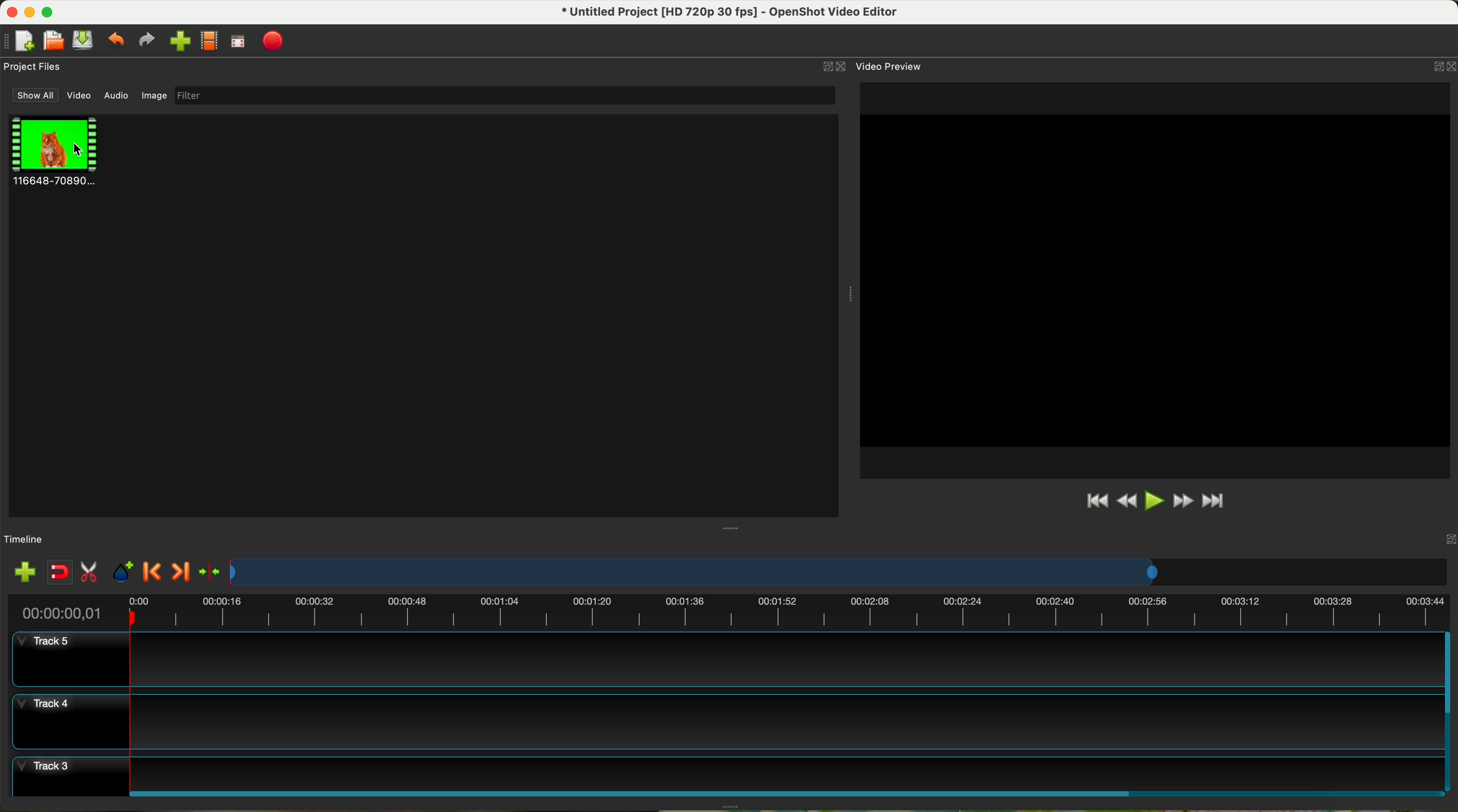 The image size is (1458, 812). Describe the element at coordinates (24, 540) in the screenshot. I see `timeline` at that location.